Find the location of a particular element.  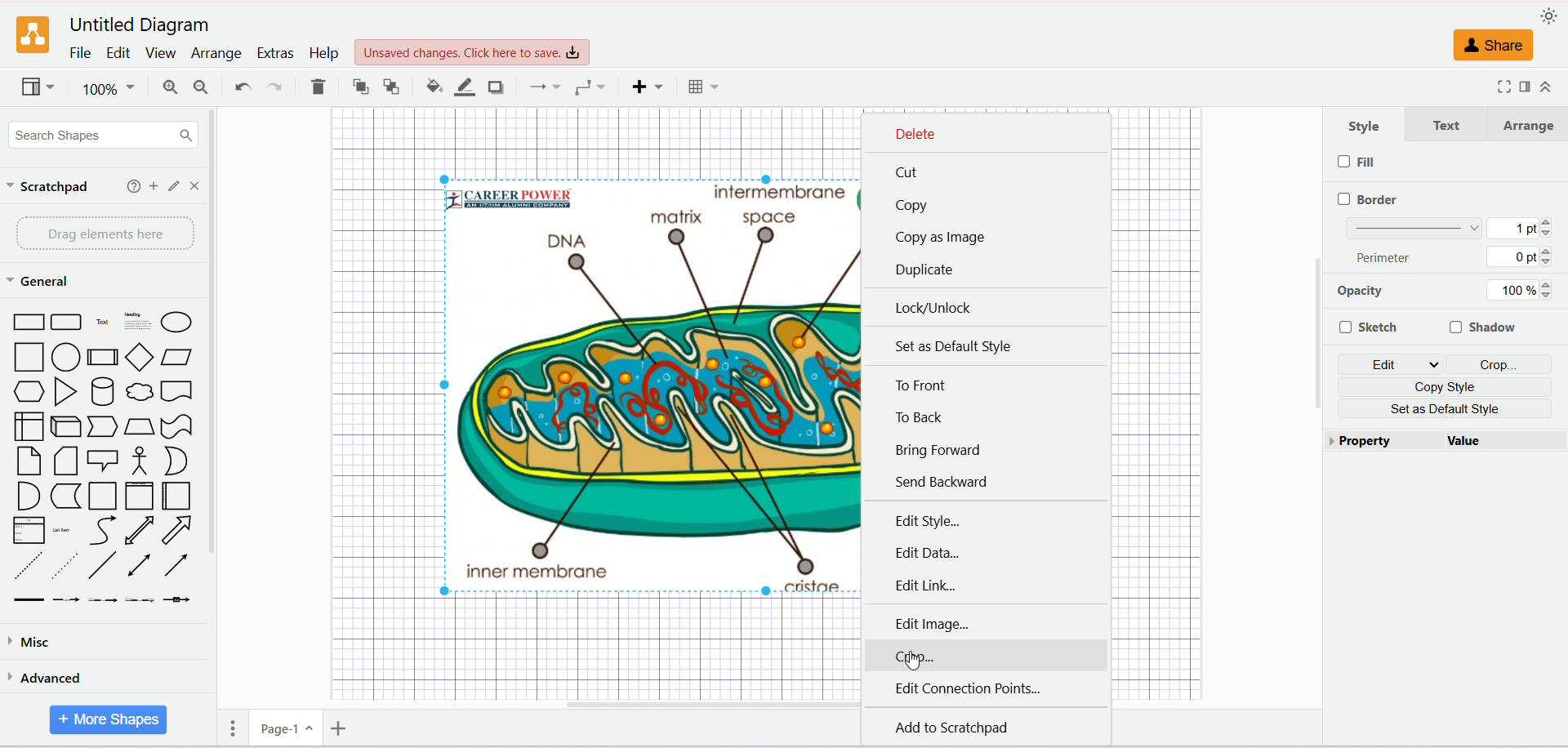

appearance is located at coordinates (1552, 16).